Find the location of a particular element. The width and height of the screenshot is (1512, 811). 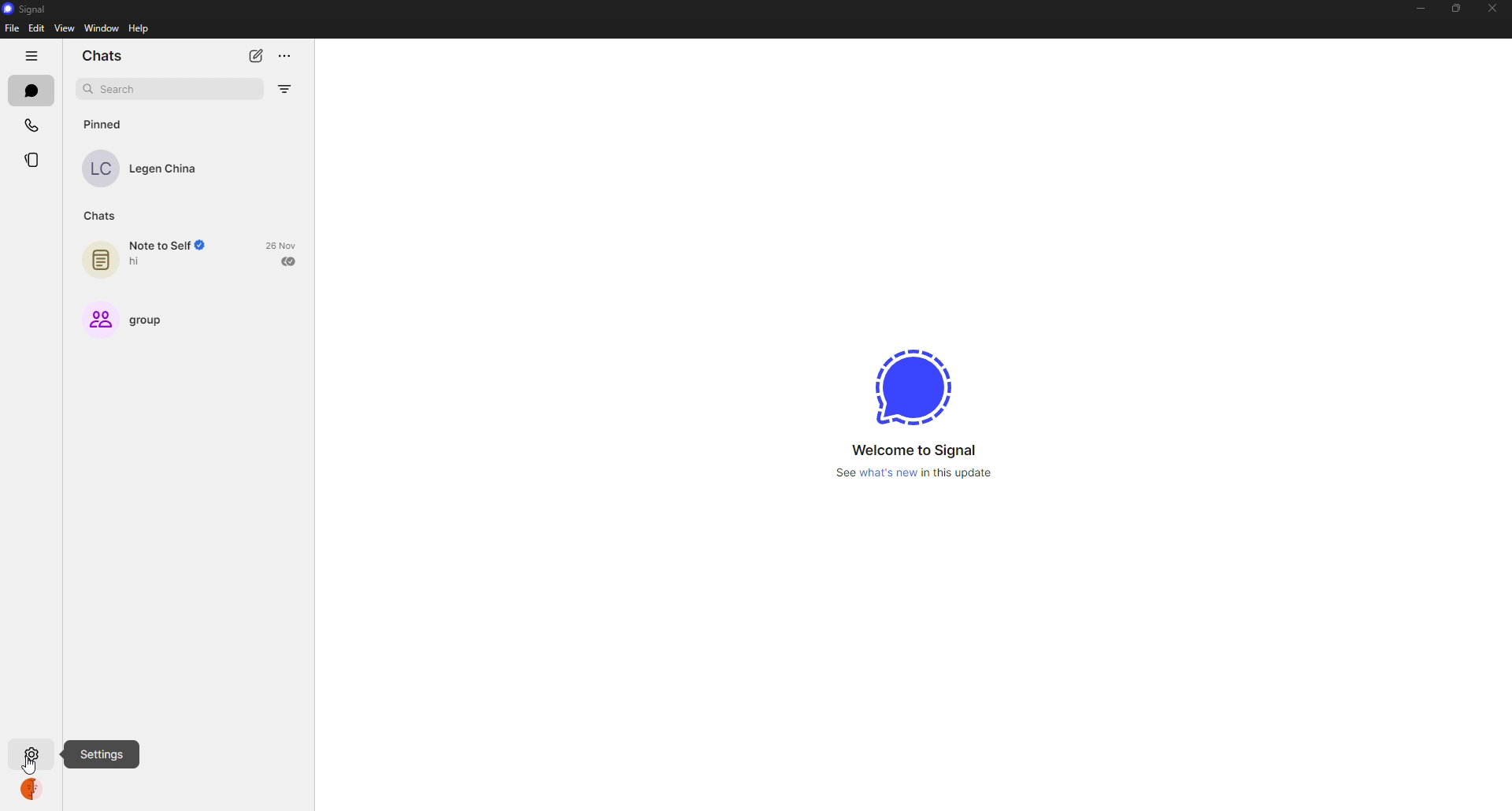

chats is located at coordinates (31, 89).